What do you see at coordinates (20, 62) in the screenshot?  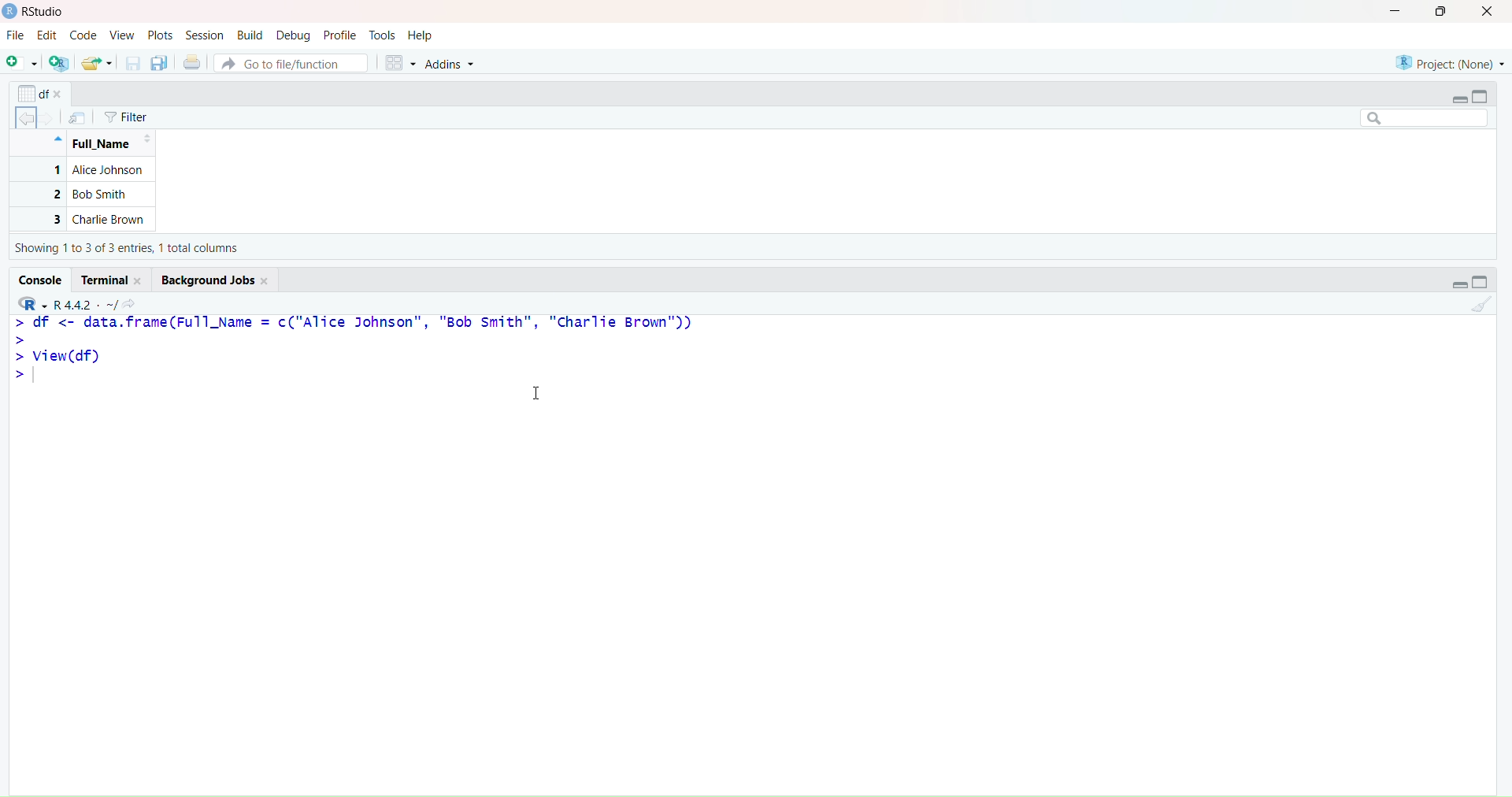 I see `New File` at bounding box center [20, 62].